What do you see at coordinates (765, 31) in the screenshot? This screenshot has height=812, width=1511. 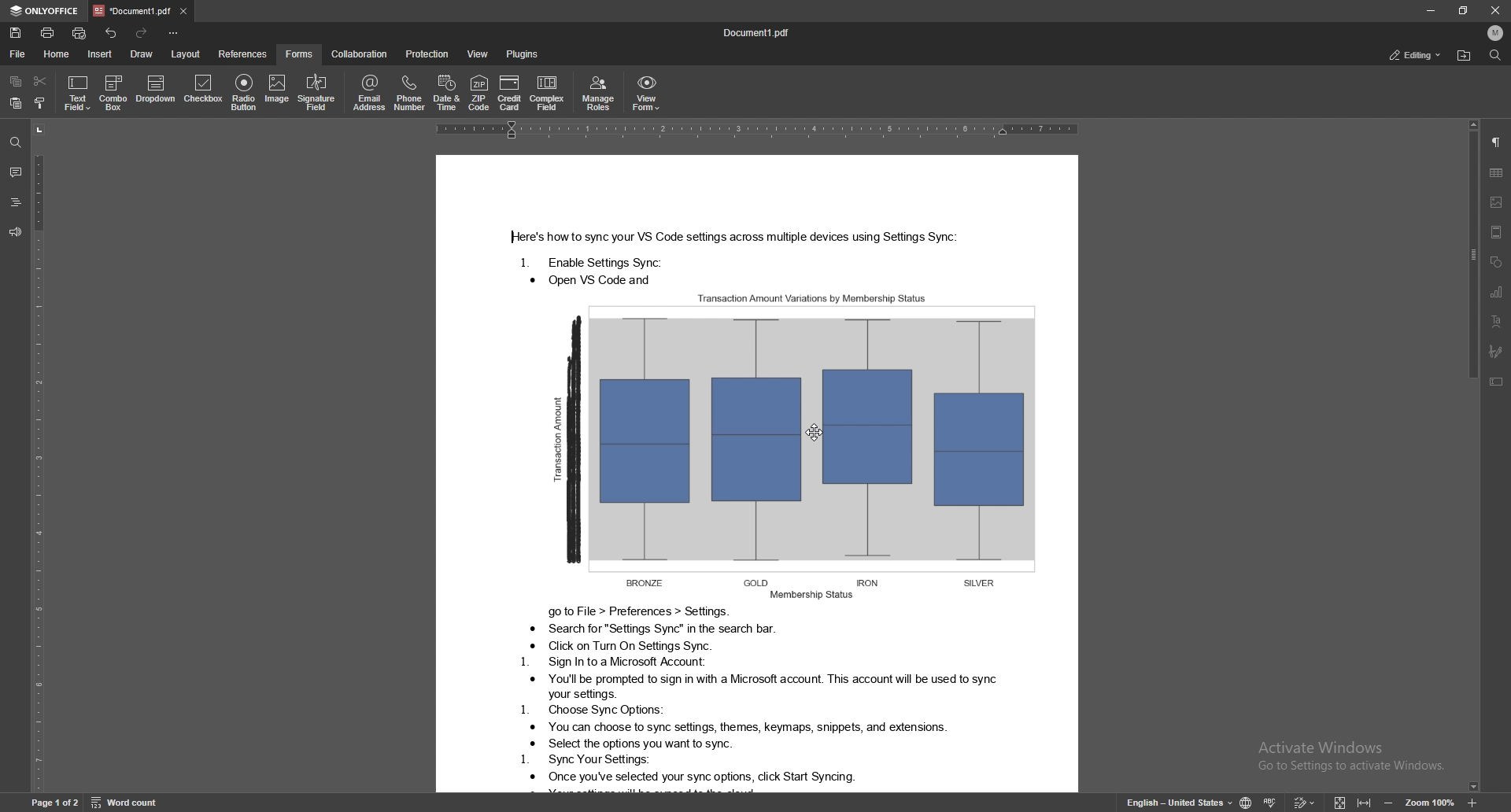 I see `docuement` at bounding box center [765, 31].